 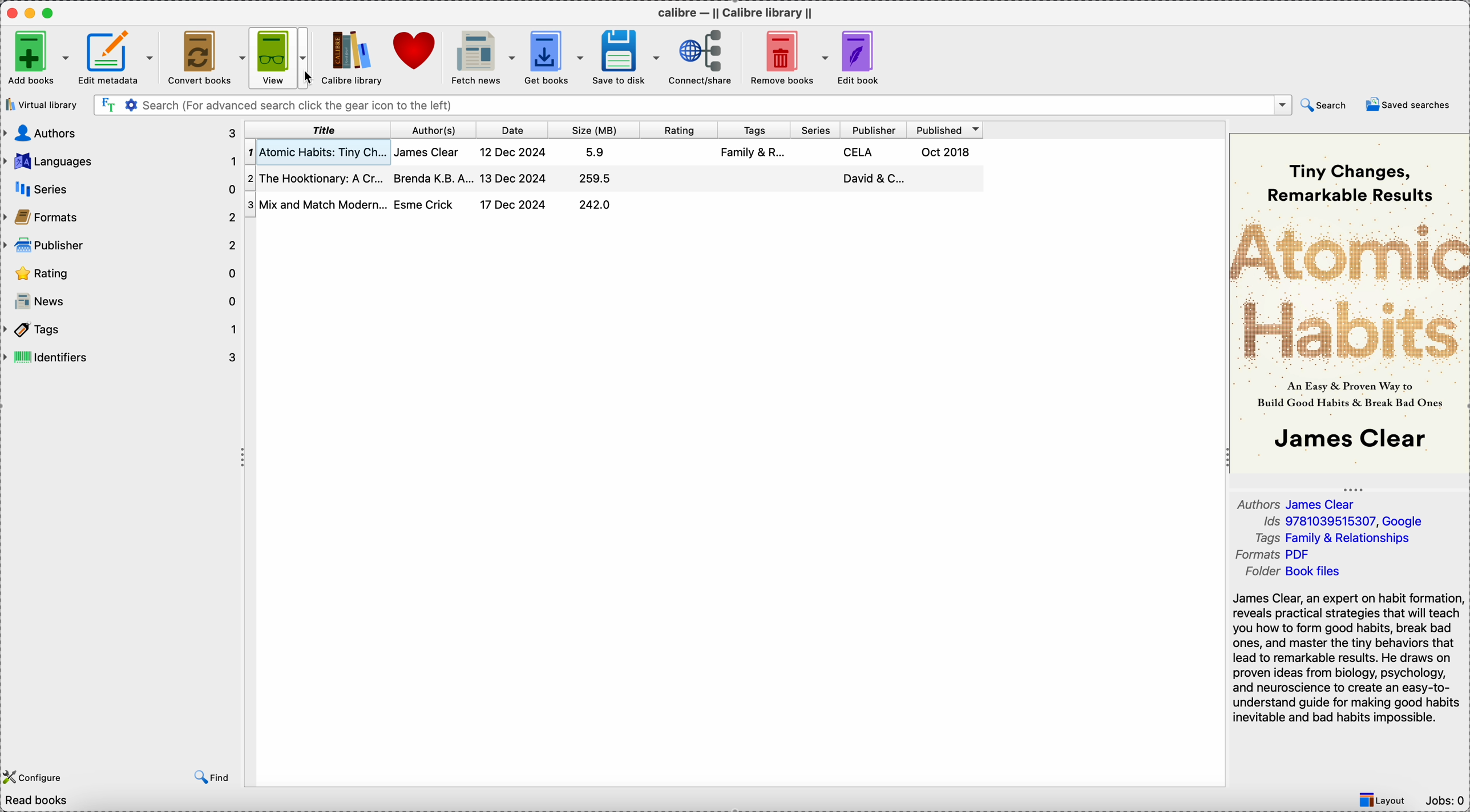 I want to click on Jobs: 0, so click(x=1444, y=802).